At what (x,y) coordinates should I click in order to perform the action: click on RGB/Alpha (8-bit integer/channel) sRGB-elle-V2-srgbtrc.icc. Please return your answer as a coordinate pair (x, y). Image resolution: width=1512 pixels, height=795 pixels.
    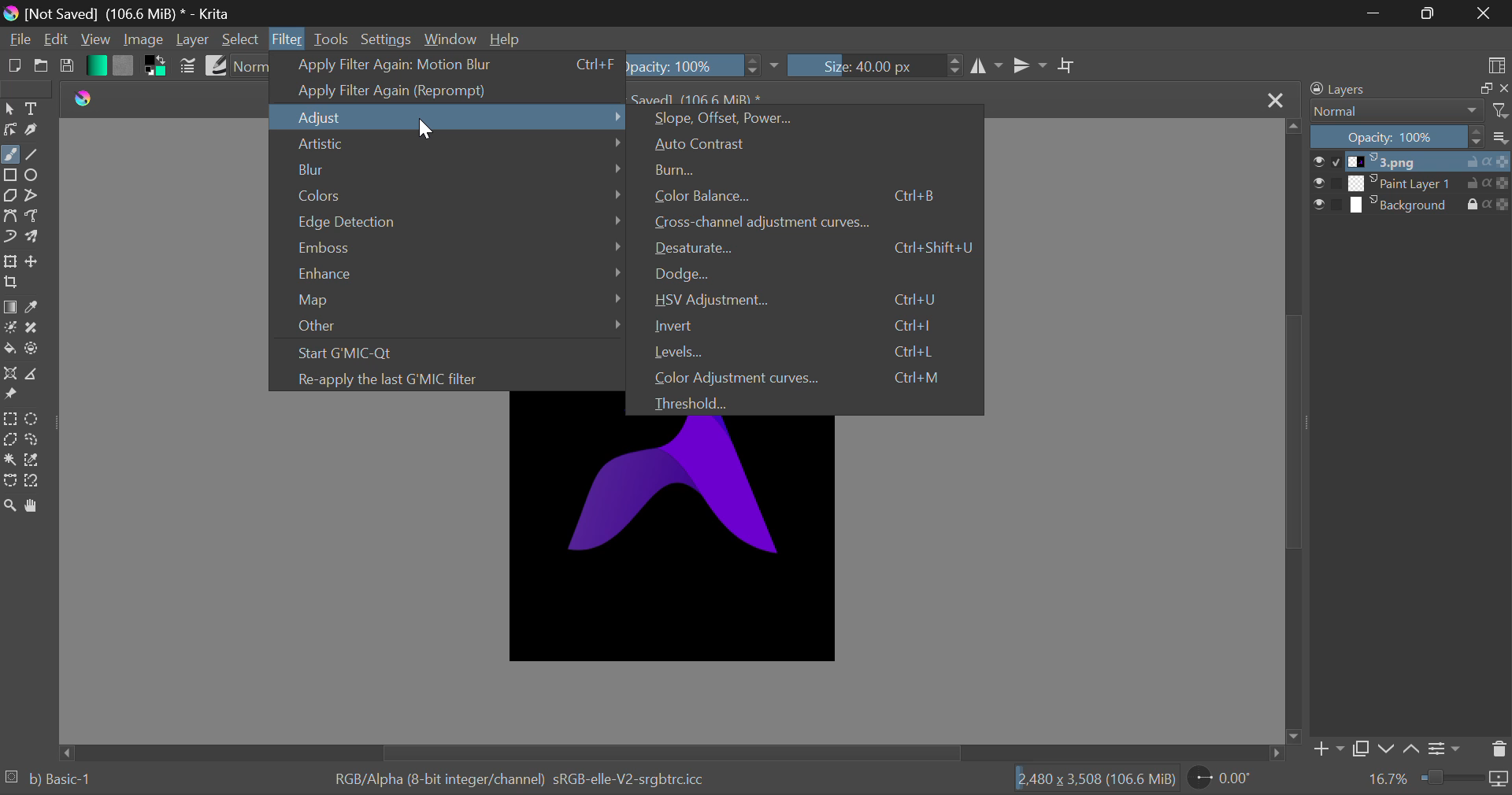
    Looking at the image, I should click on (532, 780).